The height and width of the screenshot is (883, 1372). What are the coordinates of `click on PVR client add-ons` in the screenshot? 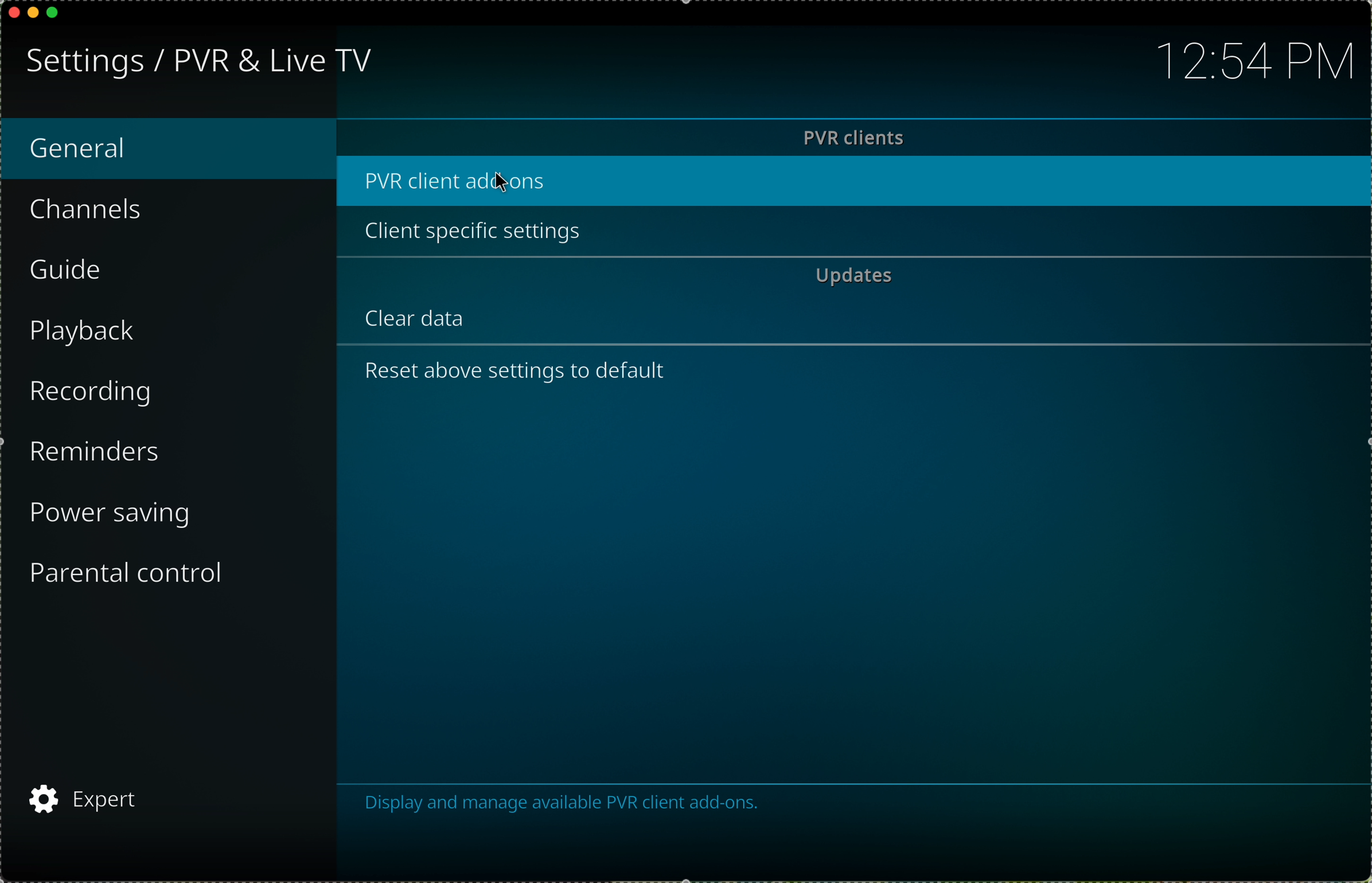 It's located at (458, 180).